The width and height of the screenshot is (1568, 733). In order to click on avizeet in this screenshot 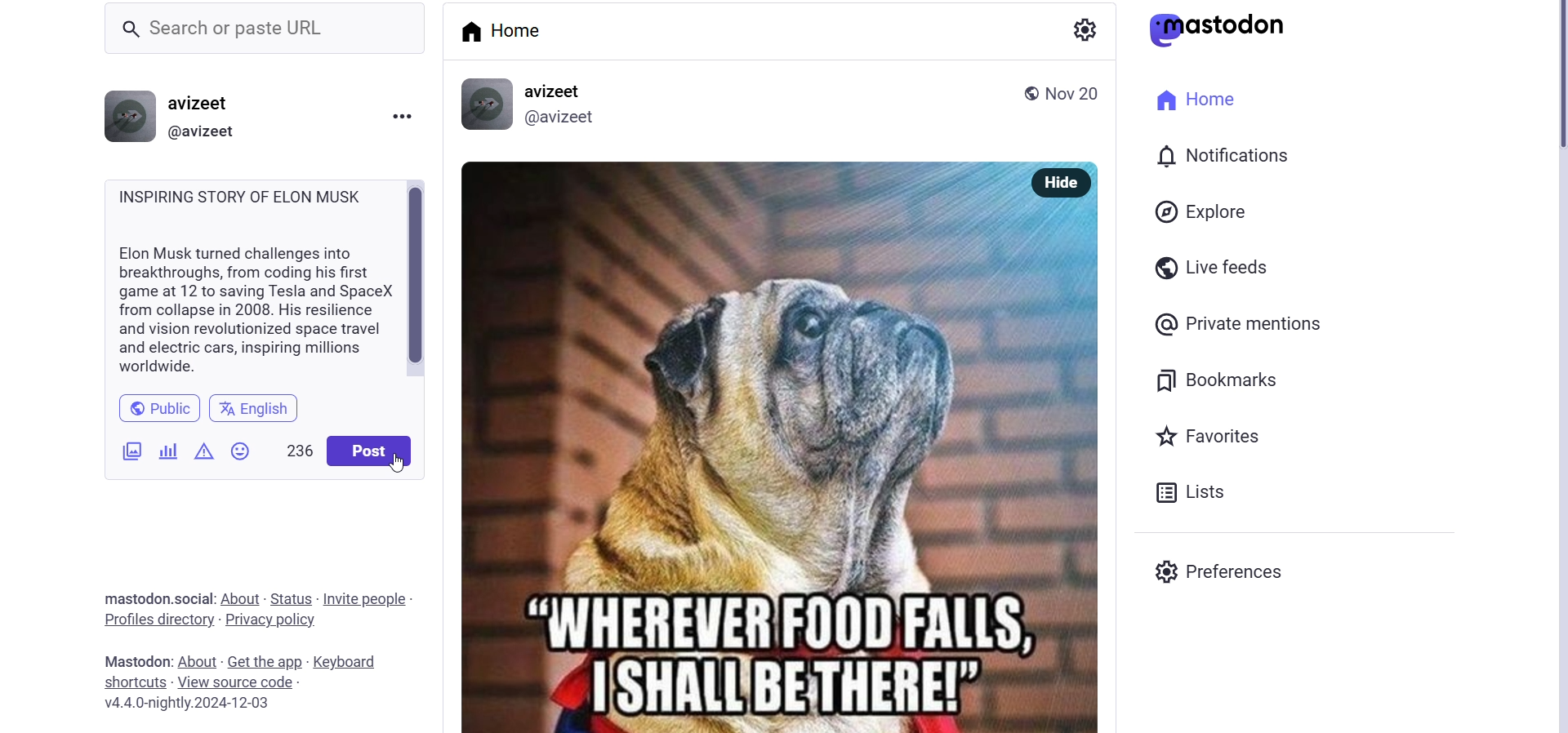, I will do `click(558, 91)`.